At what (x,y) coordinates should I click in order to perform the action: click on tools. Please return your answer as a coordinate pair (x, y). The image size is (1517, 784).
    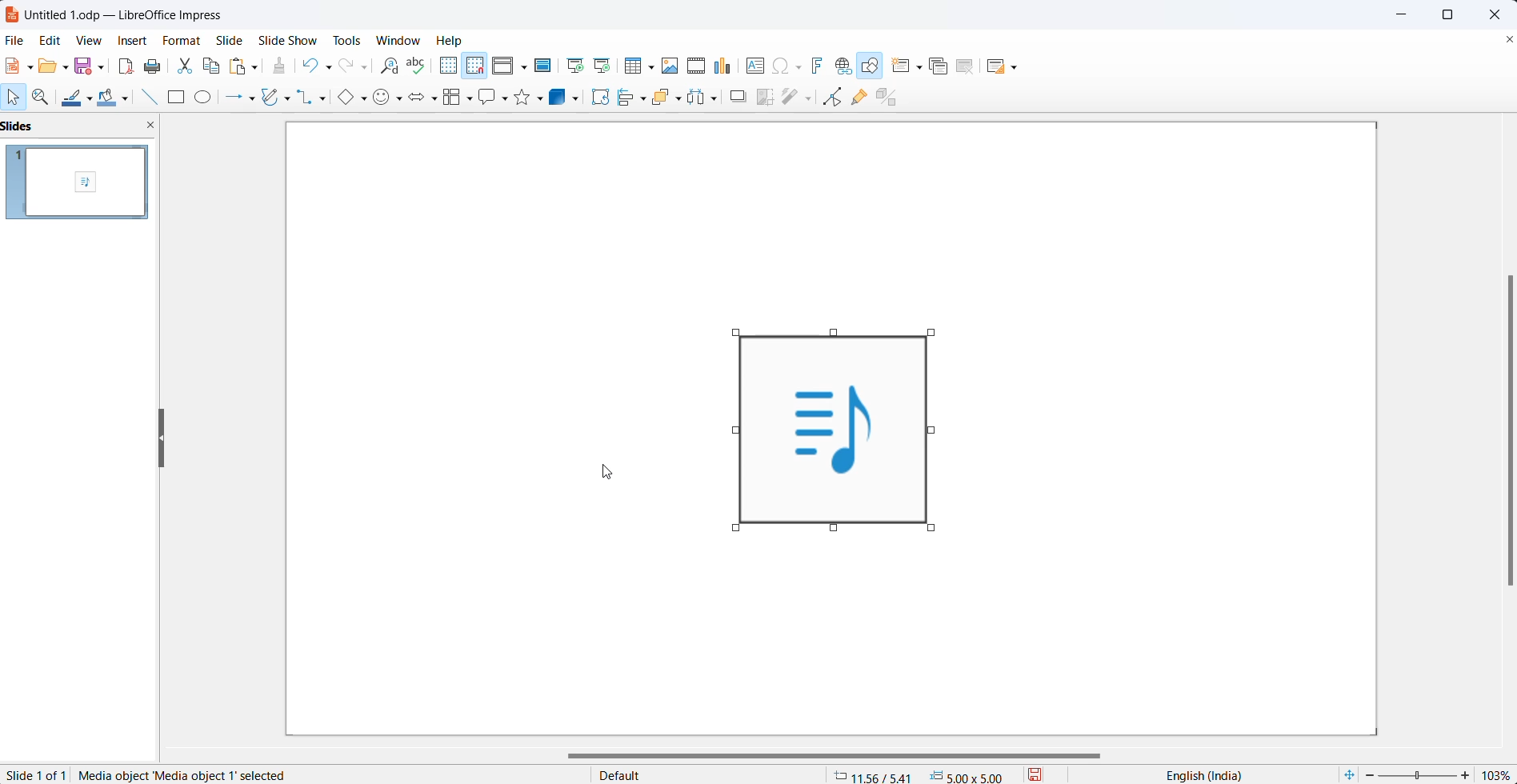
    Looking at the image, I should click on (345, 40).